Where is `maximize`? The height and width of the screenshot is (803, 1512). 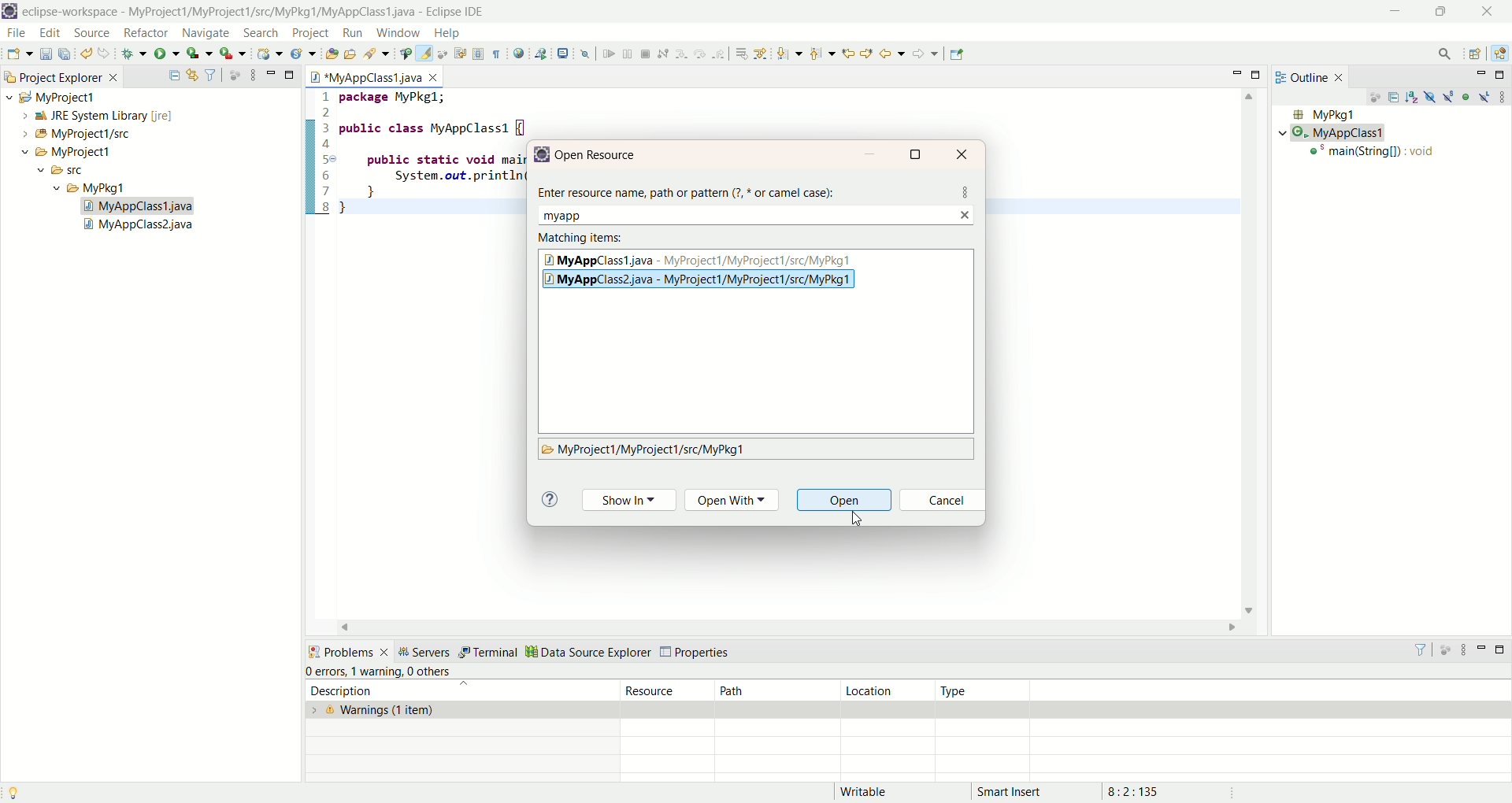 maximize is located at coordinates (917, 154).